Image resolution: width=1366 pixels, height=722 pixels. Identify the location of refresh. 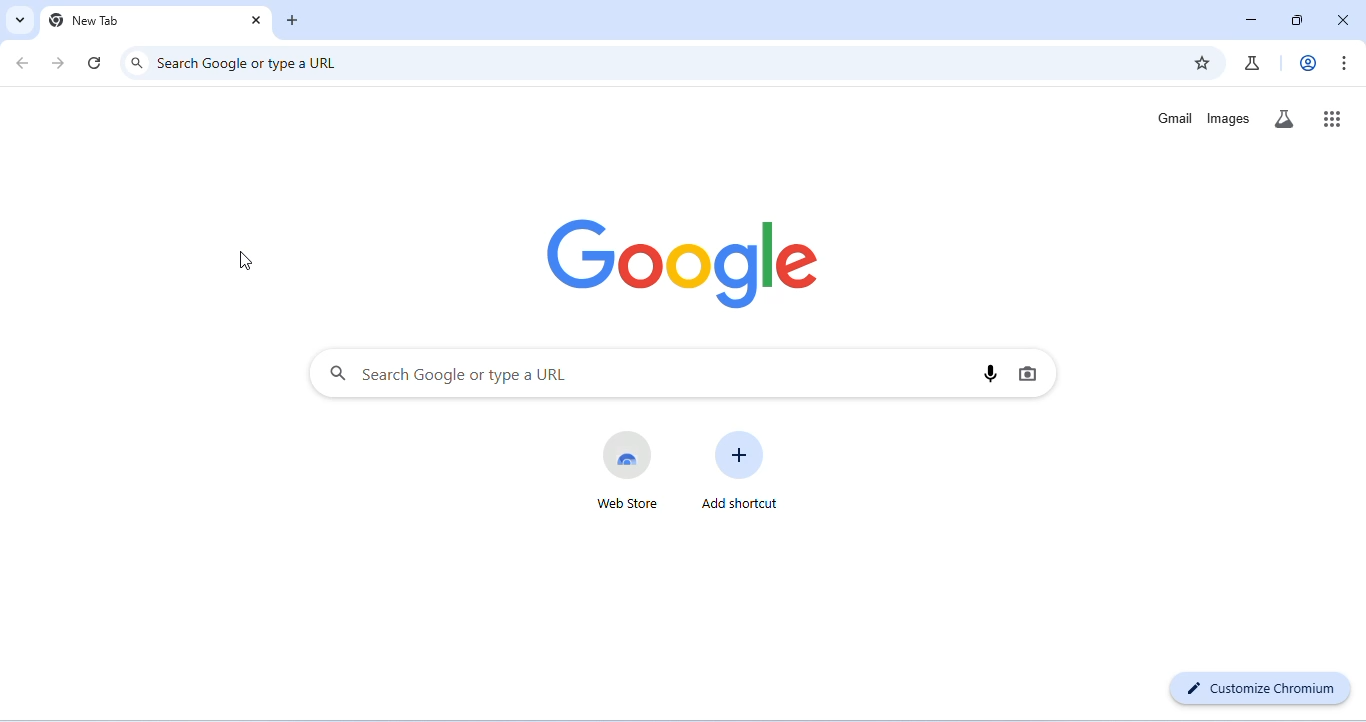
(96, 62).